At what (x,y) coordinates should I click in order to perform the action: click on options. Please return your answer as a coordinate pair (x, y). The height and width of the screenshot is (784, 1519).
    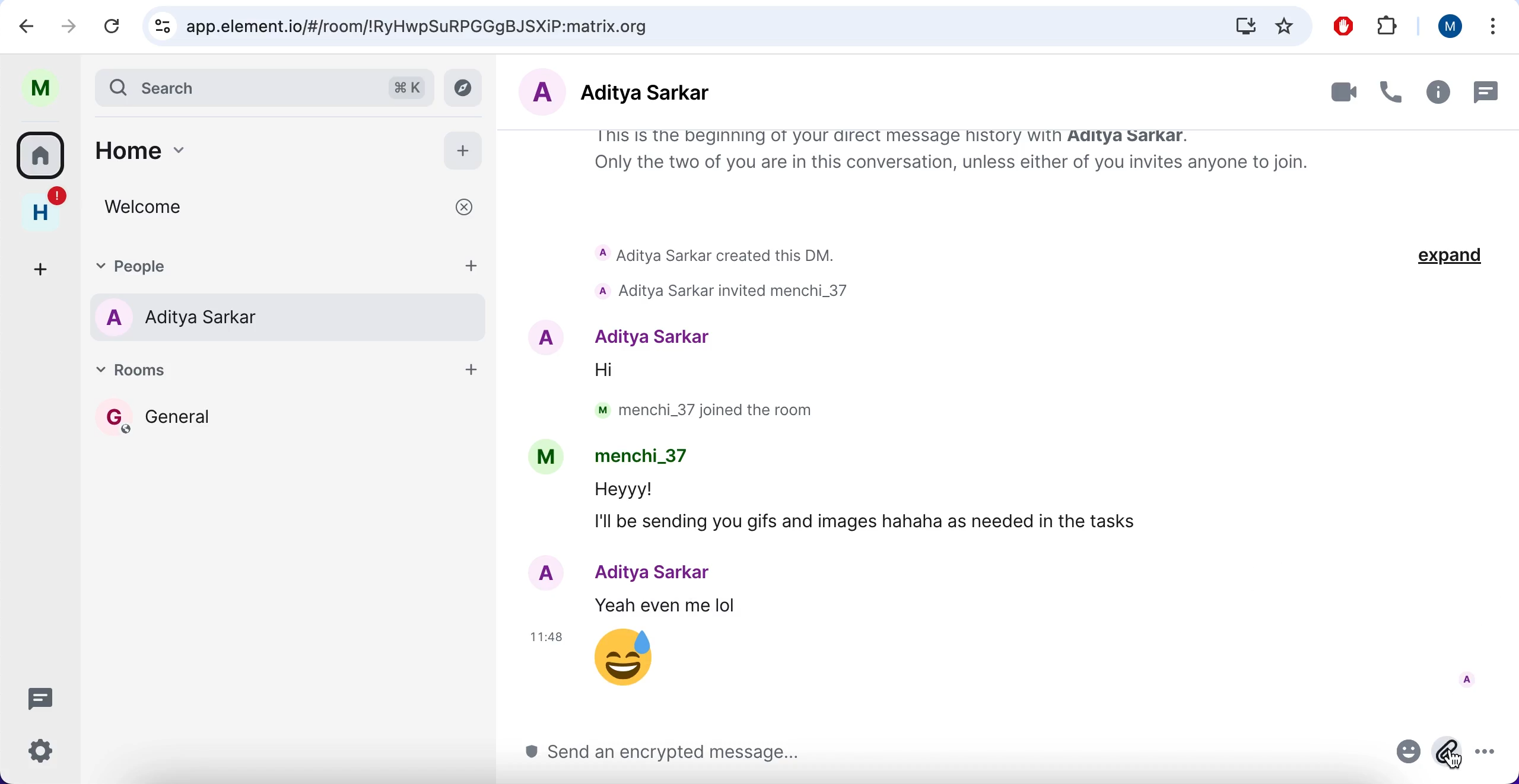
    Looking at the image, I should click on (1492, 27).